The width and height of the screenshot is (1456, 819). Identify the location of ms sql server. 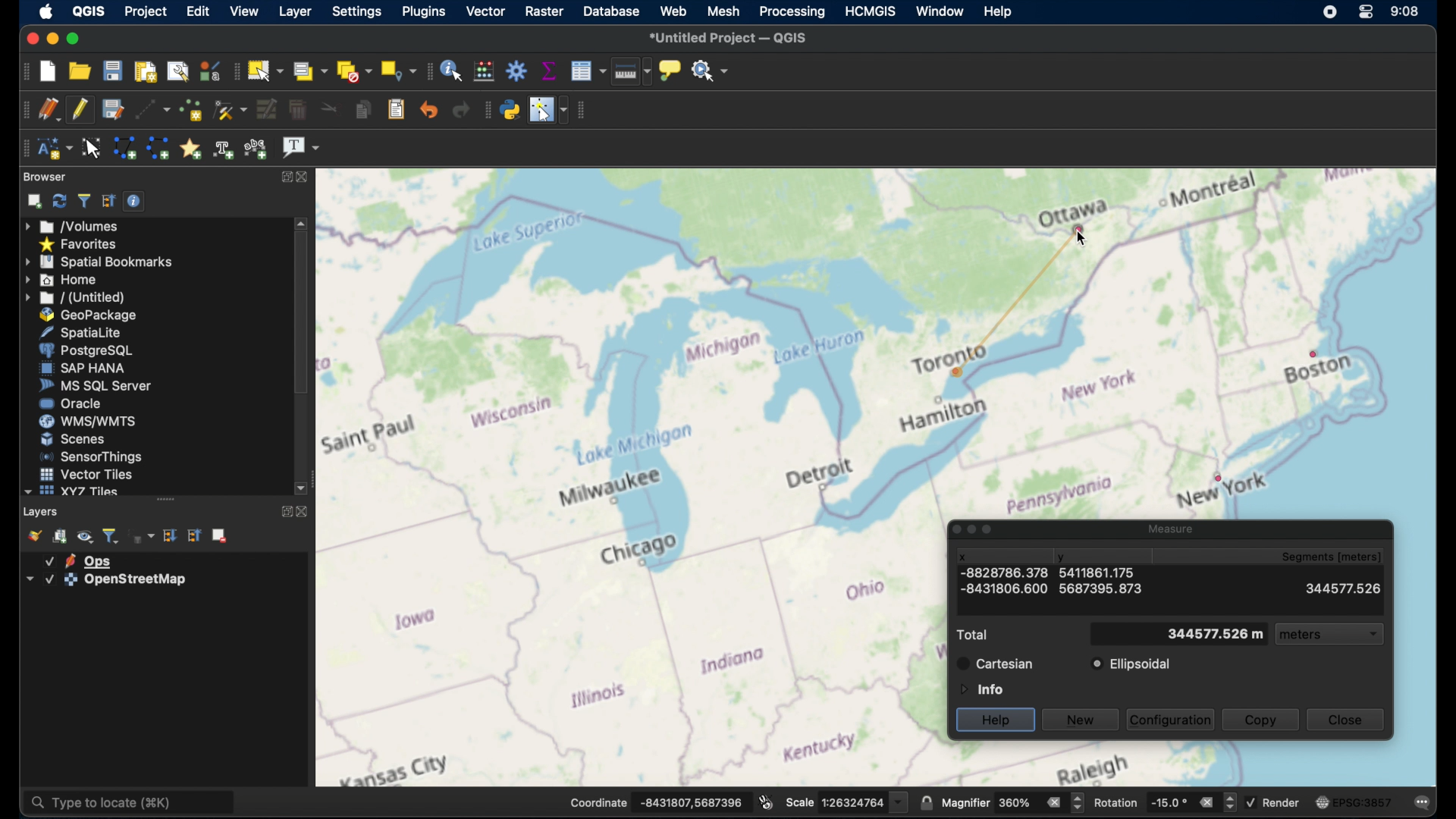
(95, 387).